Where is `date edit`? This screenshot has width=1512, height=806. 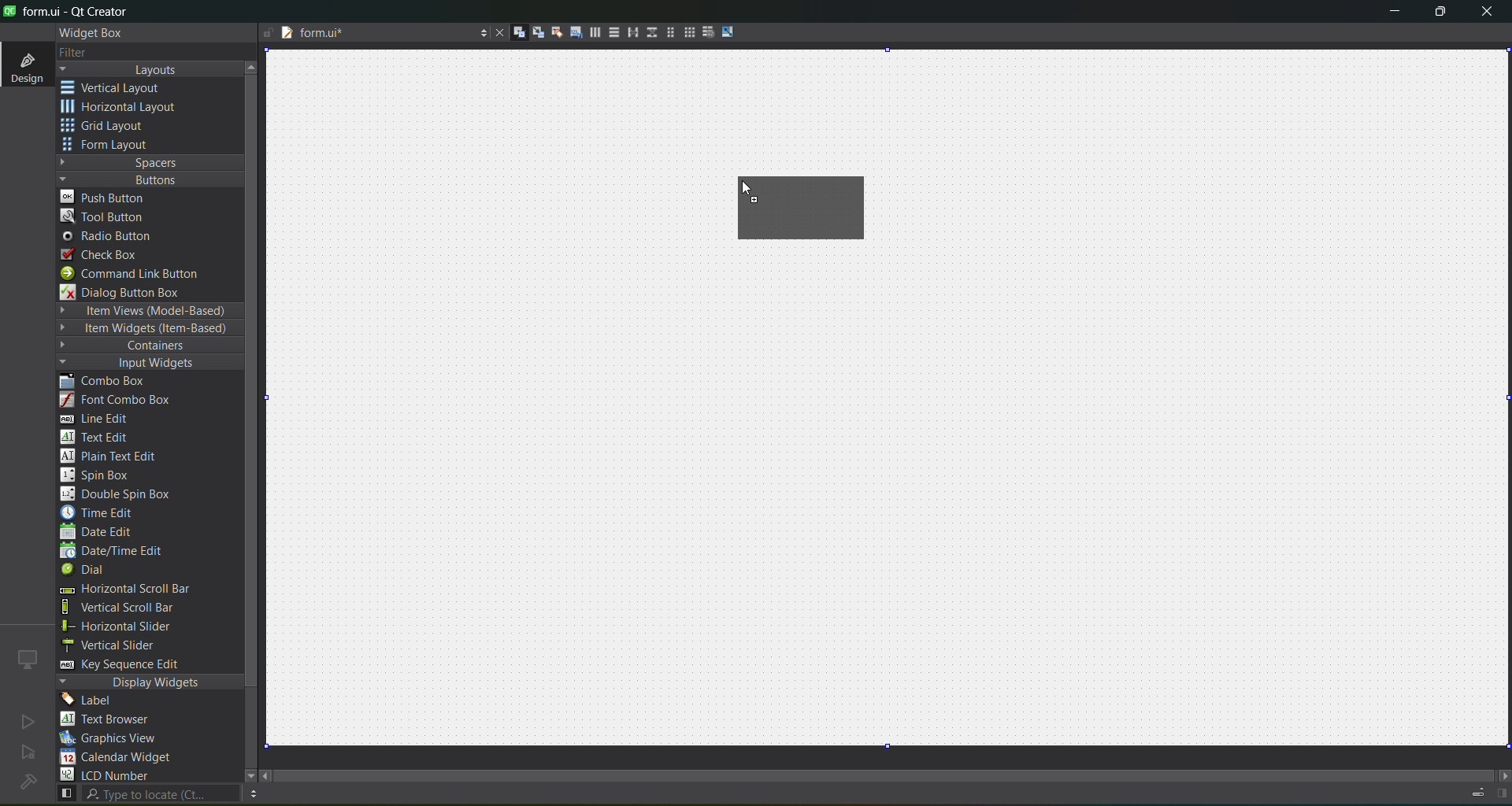
date edit is located at coordinates (100, 533).